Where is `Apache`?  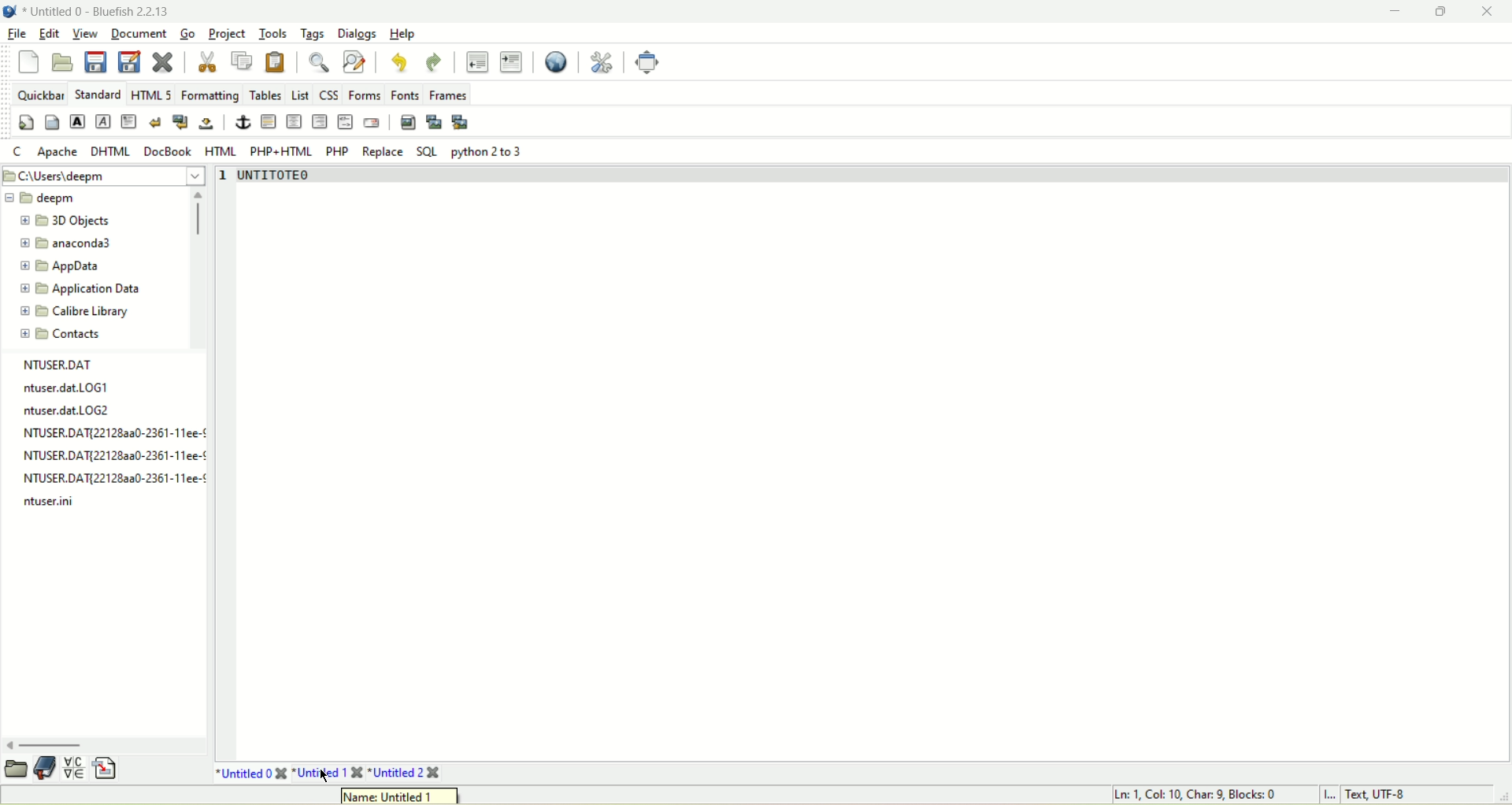
Apache is located at coordinates (57, 154).